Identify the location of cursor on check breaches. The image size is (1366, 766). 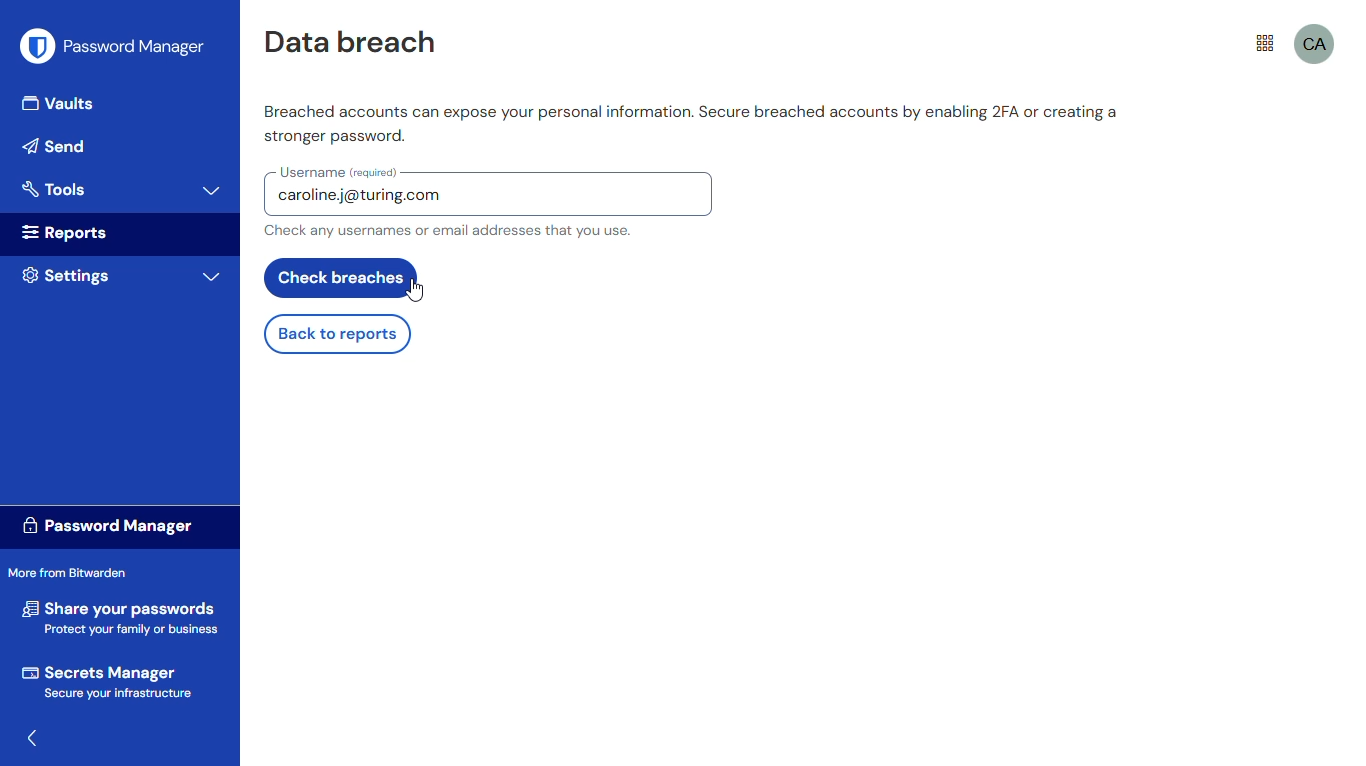
(416, 289).